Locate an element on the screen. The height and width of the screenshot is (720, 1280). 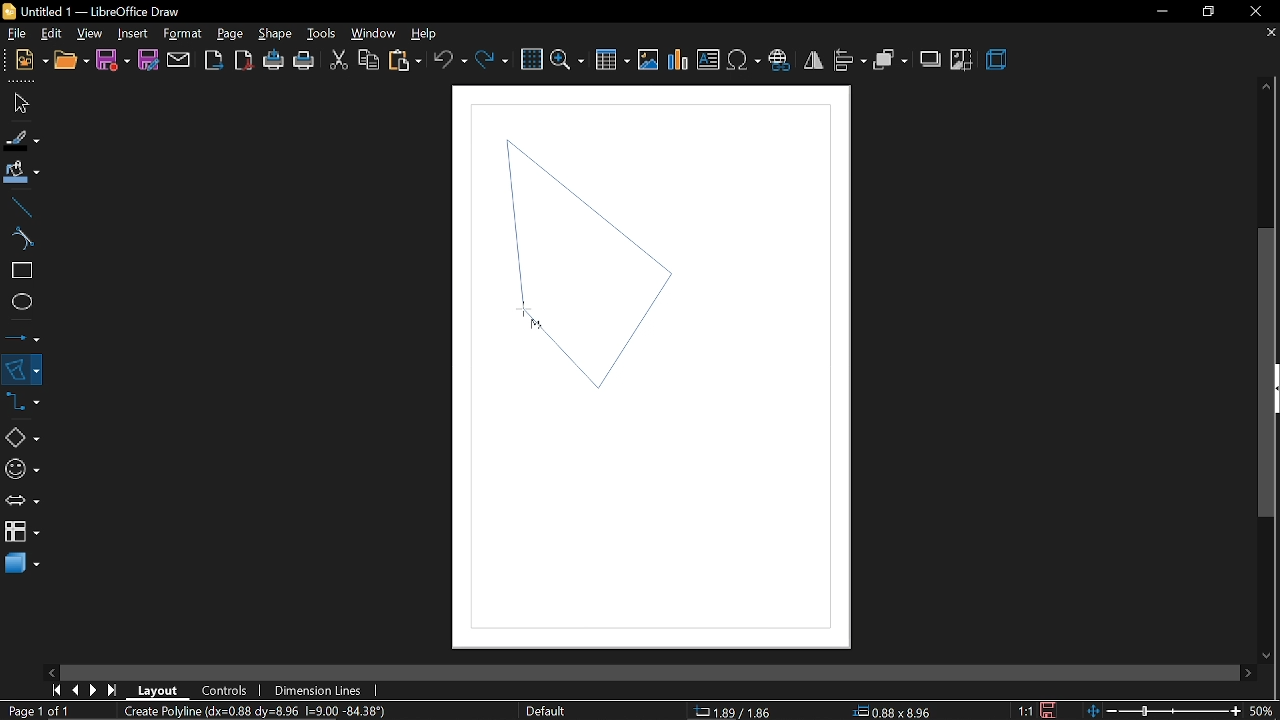
save is located at coordinates (1054, 708).